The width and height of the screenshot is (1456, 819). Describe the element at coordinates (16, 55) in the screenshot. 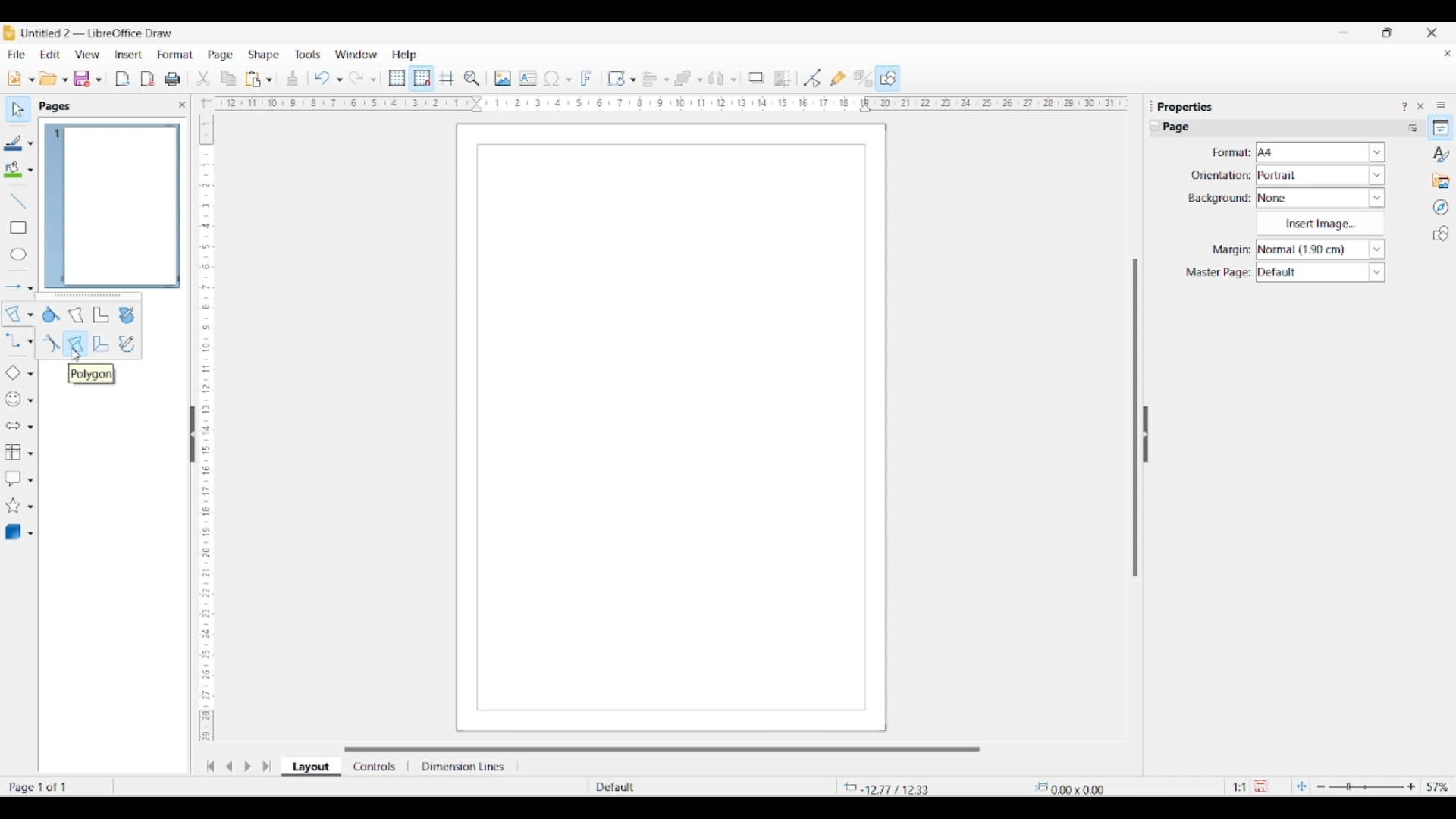

I see `File` at that location.